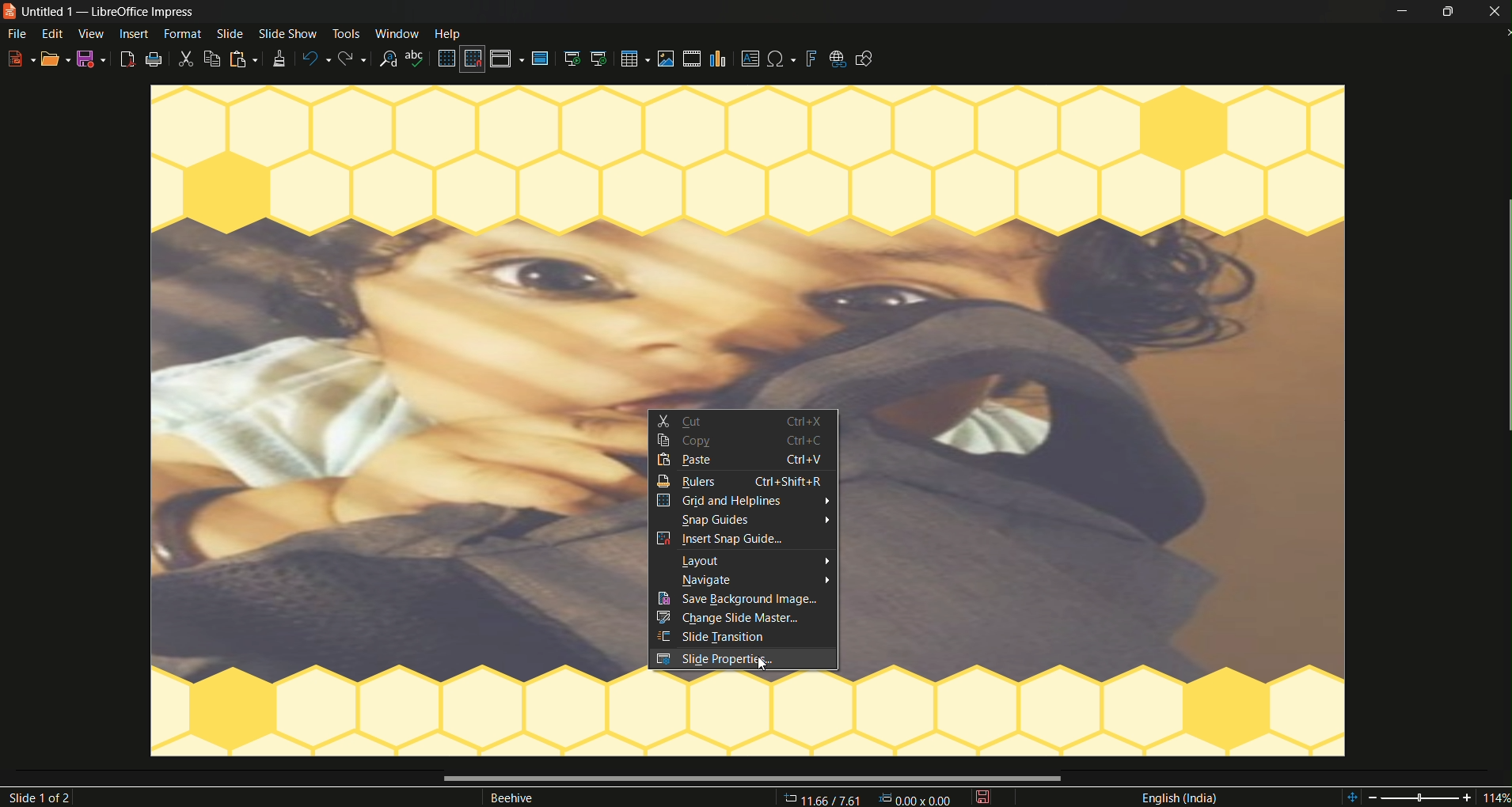 This screenshot has width=1512, height=807. I want to click on close, so click(1497, 12).